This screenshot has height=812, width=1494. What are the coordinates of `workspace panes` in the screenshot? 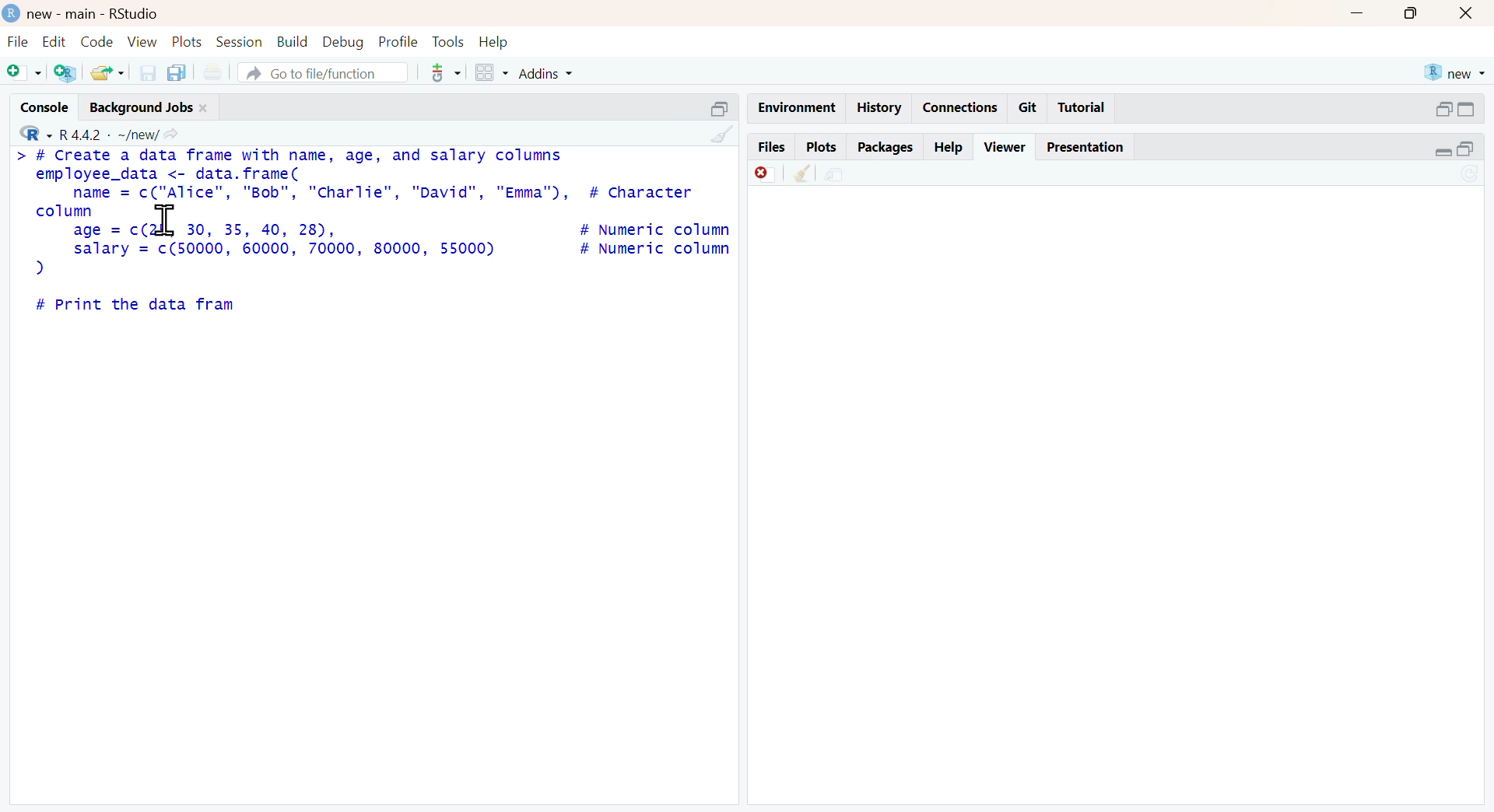 It's located at (491, 72).